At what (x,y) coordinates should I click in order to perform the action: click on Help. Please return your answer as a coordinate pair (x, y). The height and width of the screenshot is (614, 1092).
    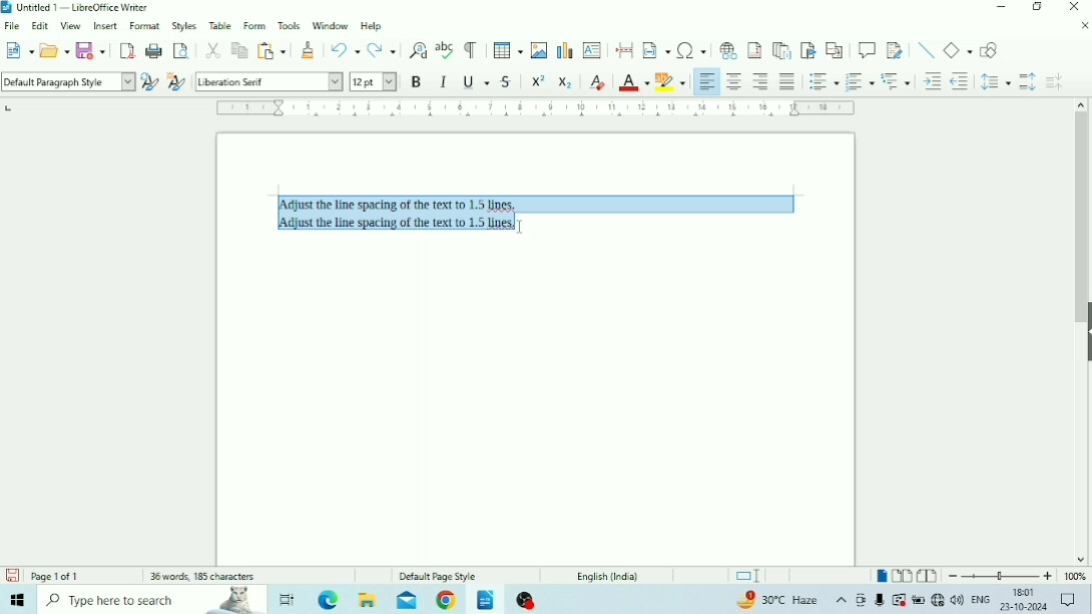
    Looking at the image, I should click on (372, 26).